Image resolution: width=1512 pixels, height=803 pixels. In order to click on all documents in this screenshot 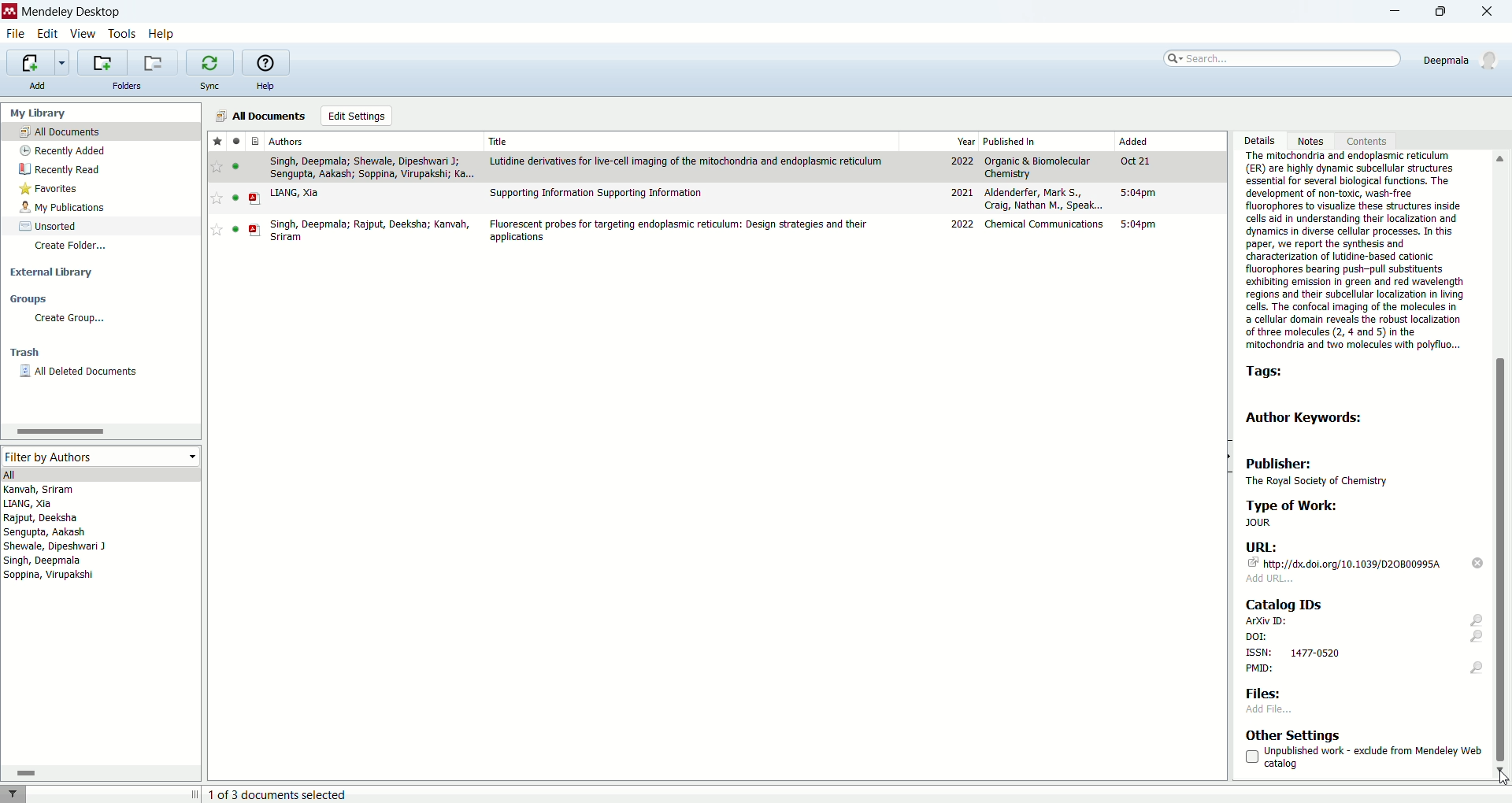, I will do `click(101, 131)`.